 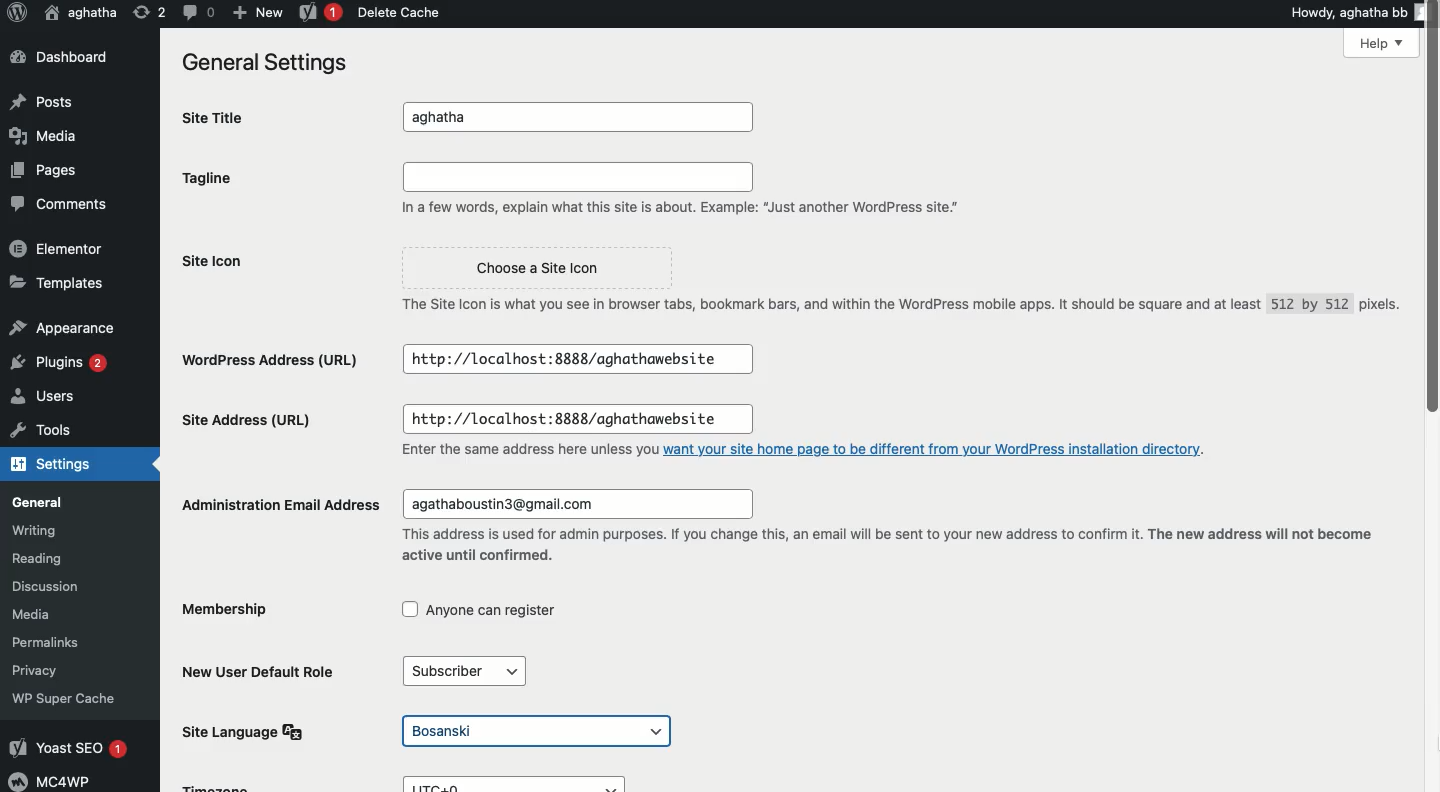 What do you see at coordinates (229, 613) in the screenshot?
I see `Membership` at bounding box center [229, 613].